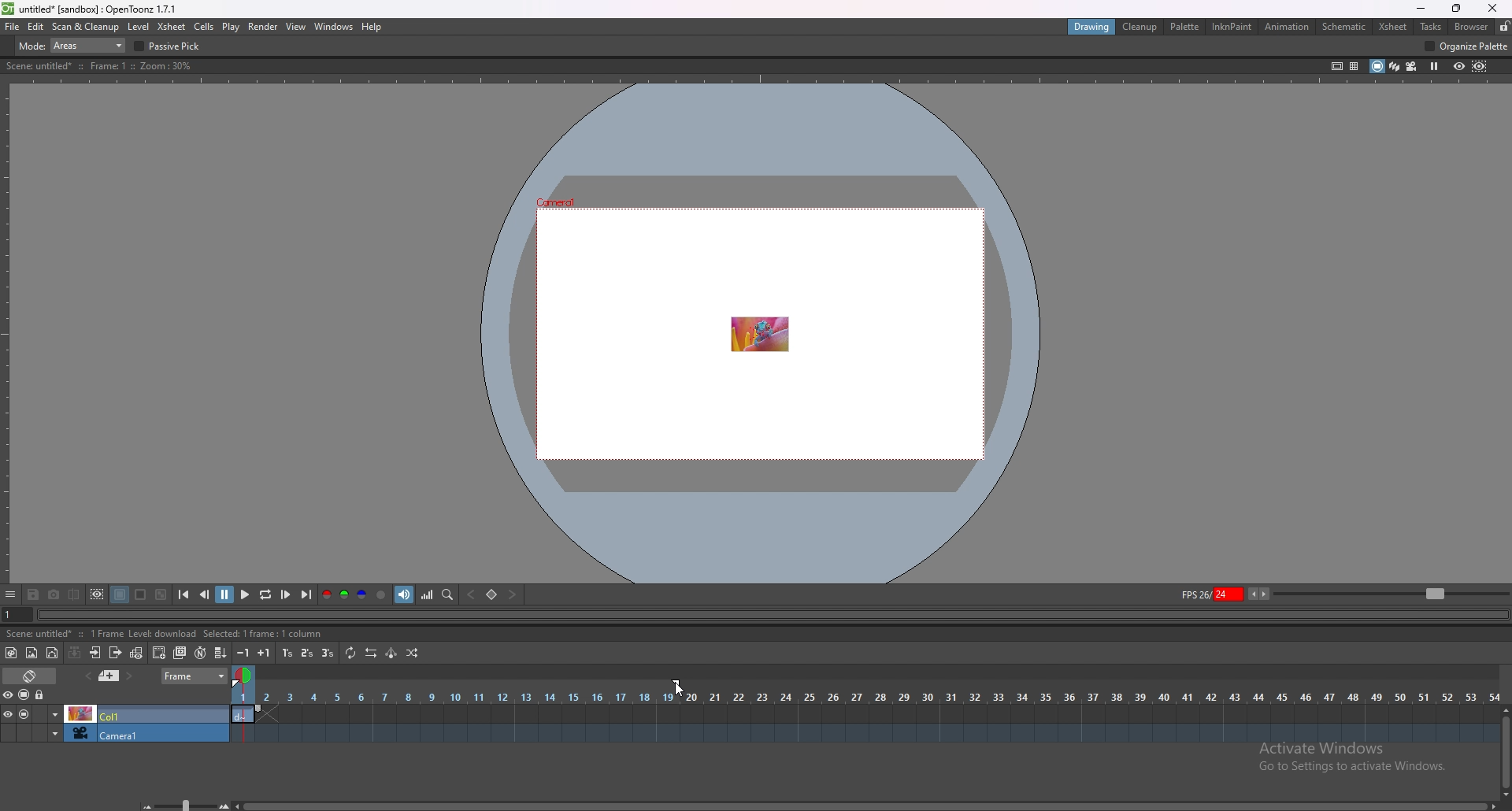 The height and width of the screenshot is (811, 1512). I want to click on repeat, so click(352, 654).